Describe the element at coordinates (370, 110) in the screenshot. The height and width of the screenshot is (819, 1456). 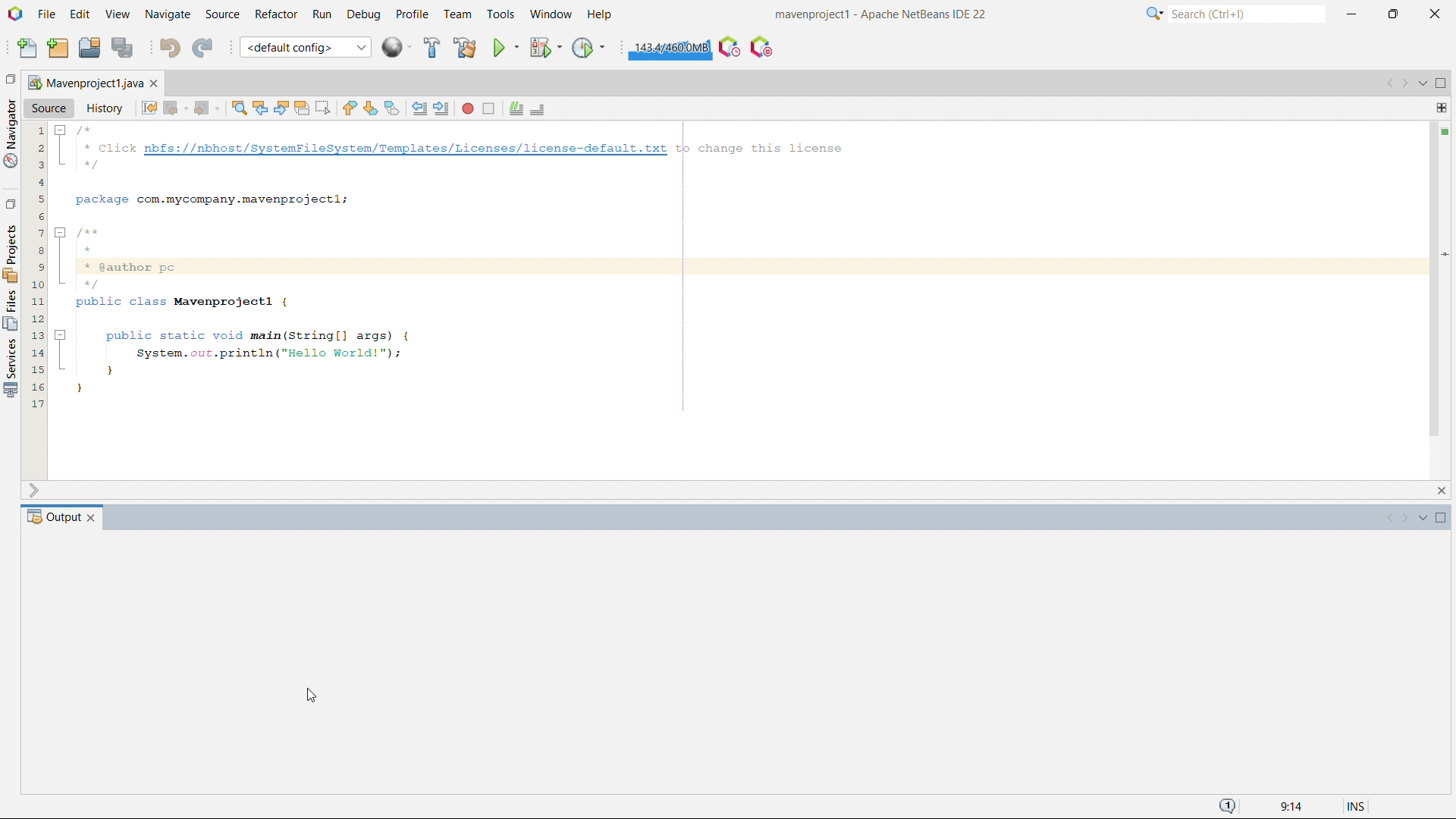
I see `next bookmark` at that location.